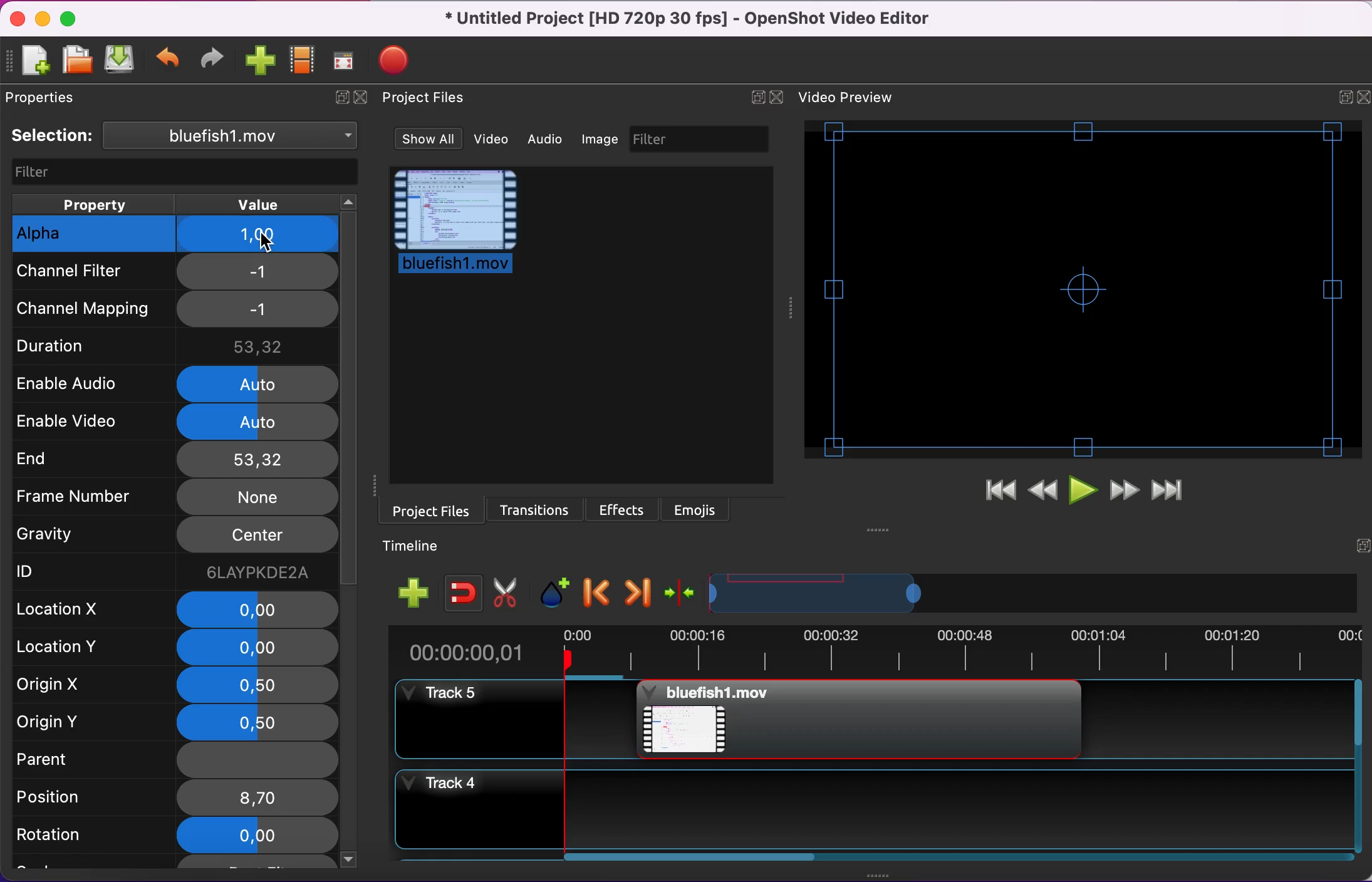 The image size is (1372, 882). What do you see at coordinates (689, 19) in the screenshot?
I see `title` at bounding box center [689, 19].